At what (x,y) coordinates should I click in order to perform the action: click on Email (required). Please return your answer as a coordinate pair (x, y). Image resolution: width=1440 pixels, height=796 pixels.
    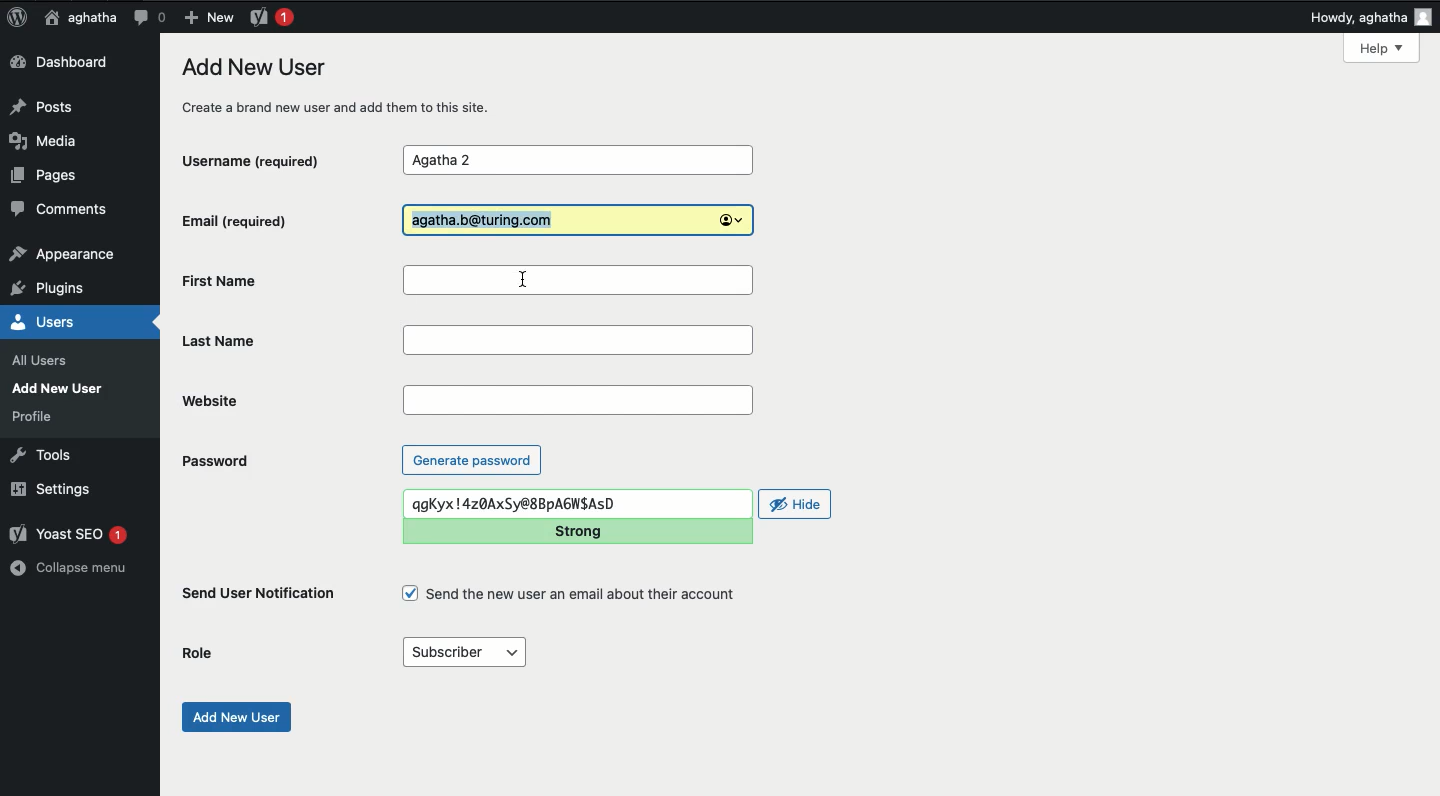
    Looking at the image, I should click on (269, 220).